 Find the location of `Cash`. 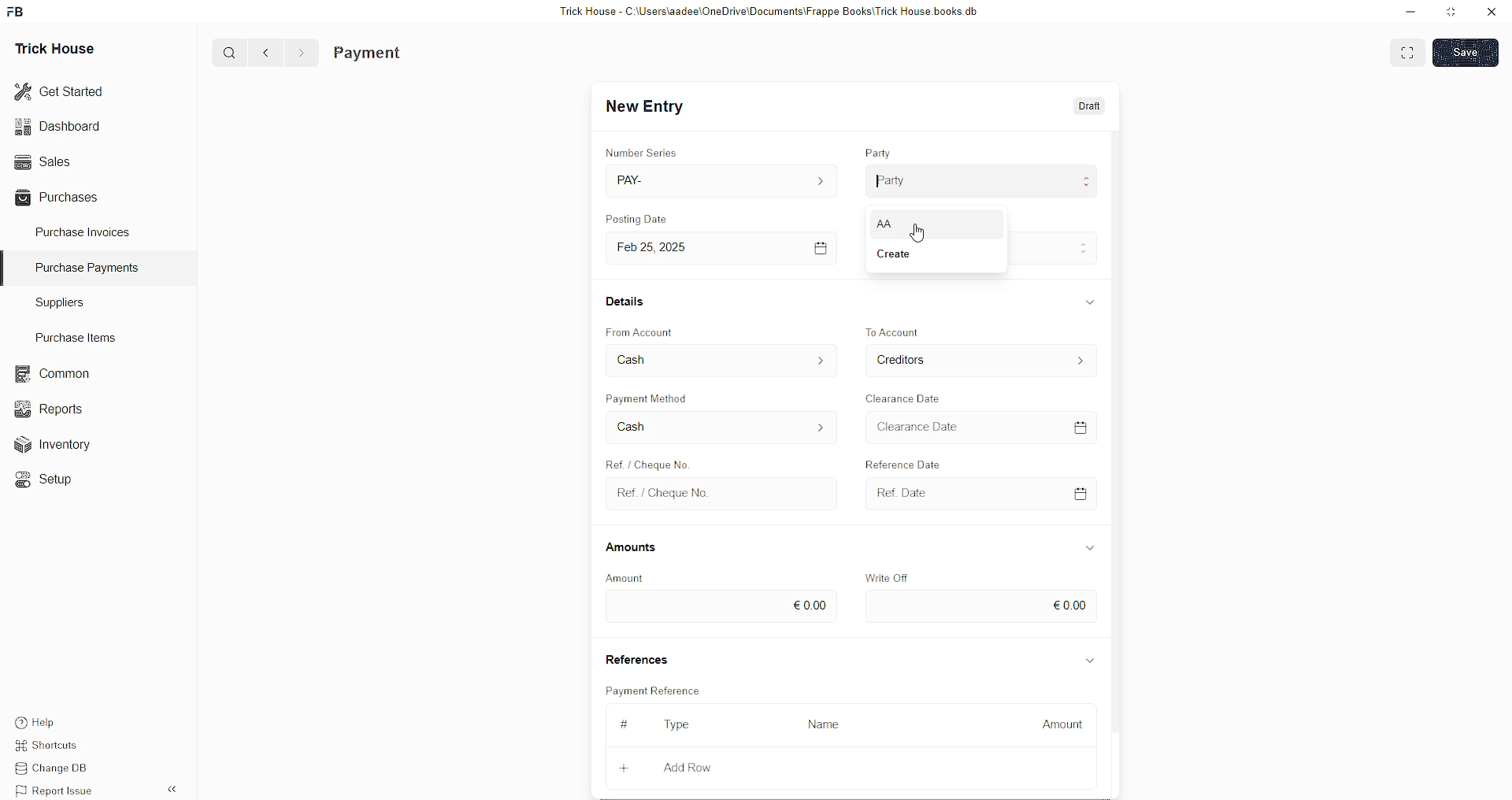

Cash is located at coordinates (637, 426).